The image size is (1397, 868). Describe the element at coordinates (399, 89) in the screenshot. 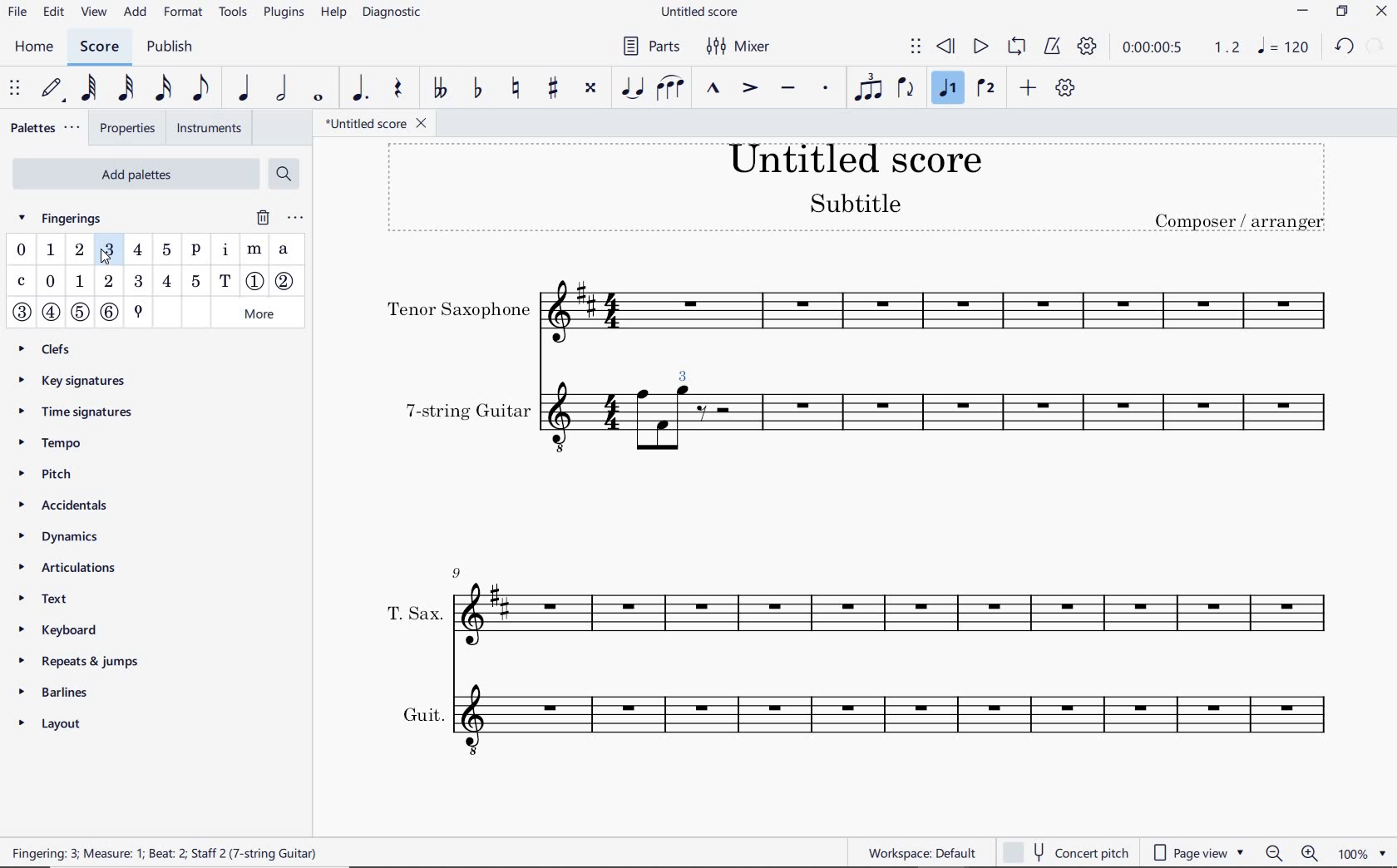

I see `REST` at that location.